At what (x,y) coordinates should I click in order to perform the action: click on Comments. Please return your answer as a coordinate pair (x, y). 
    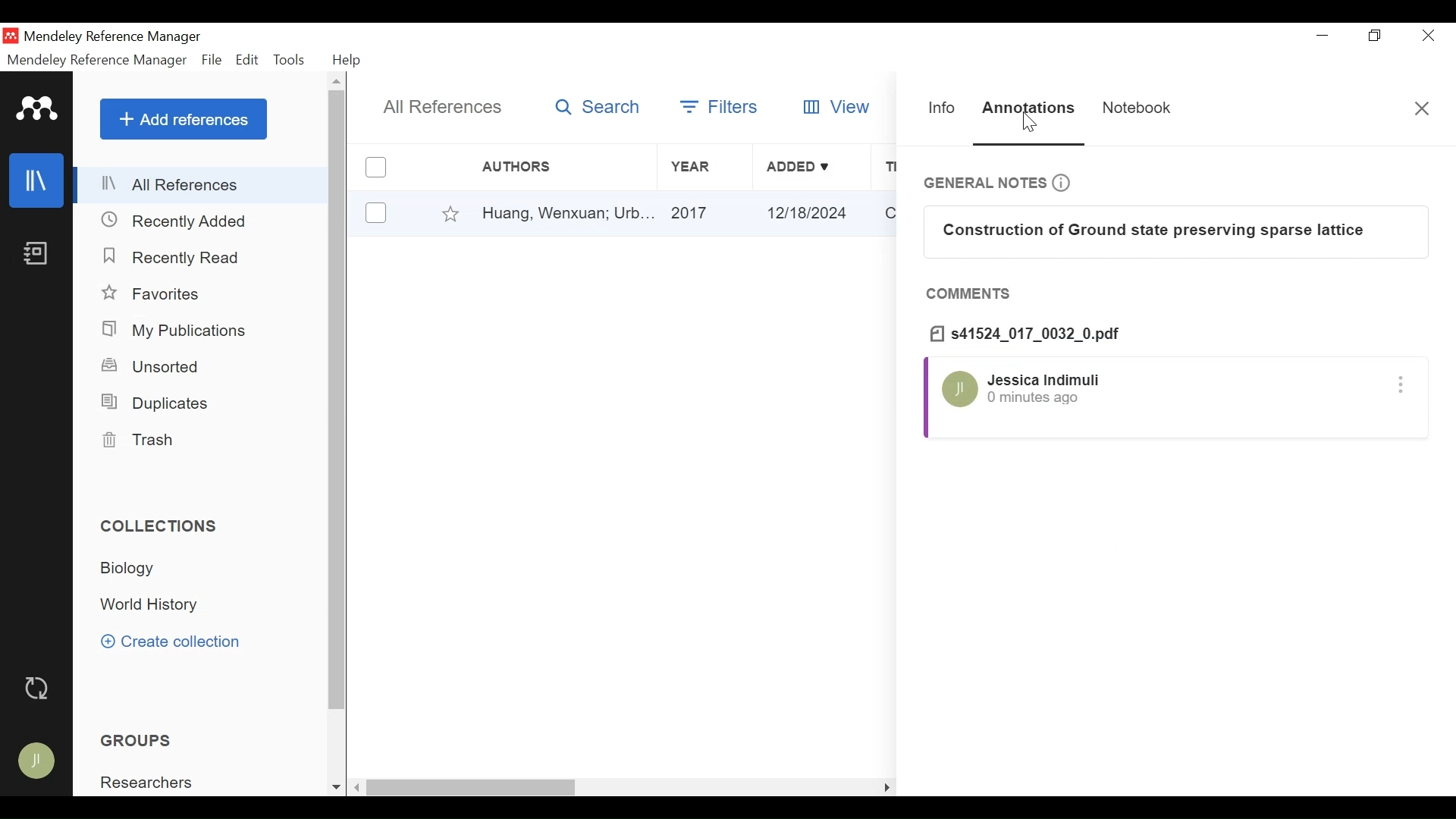
    Looking at the image, I should click on (971, 295).